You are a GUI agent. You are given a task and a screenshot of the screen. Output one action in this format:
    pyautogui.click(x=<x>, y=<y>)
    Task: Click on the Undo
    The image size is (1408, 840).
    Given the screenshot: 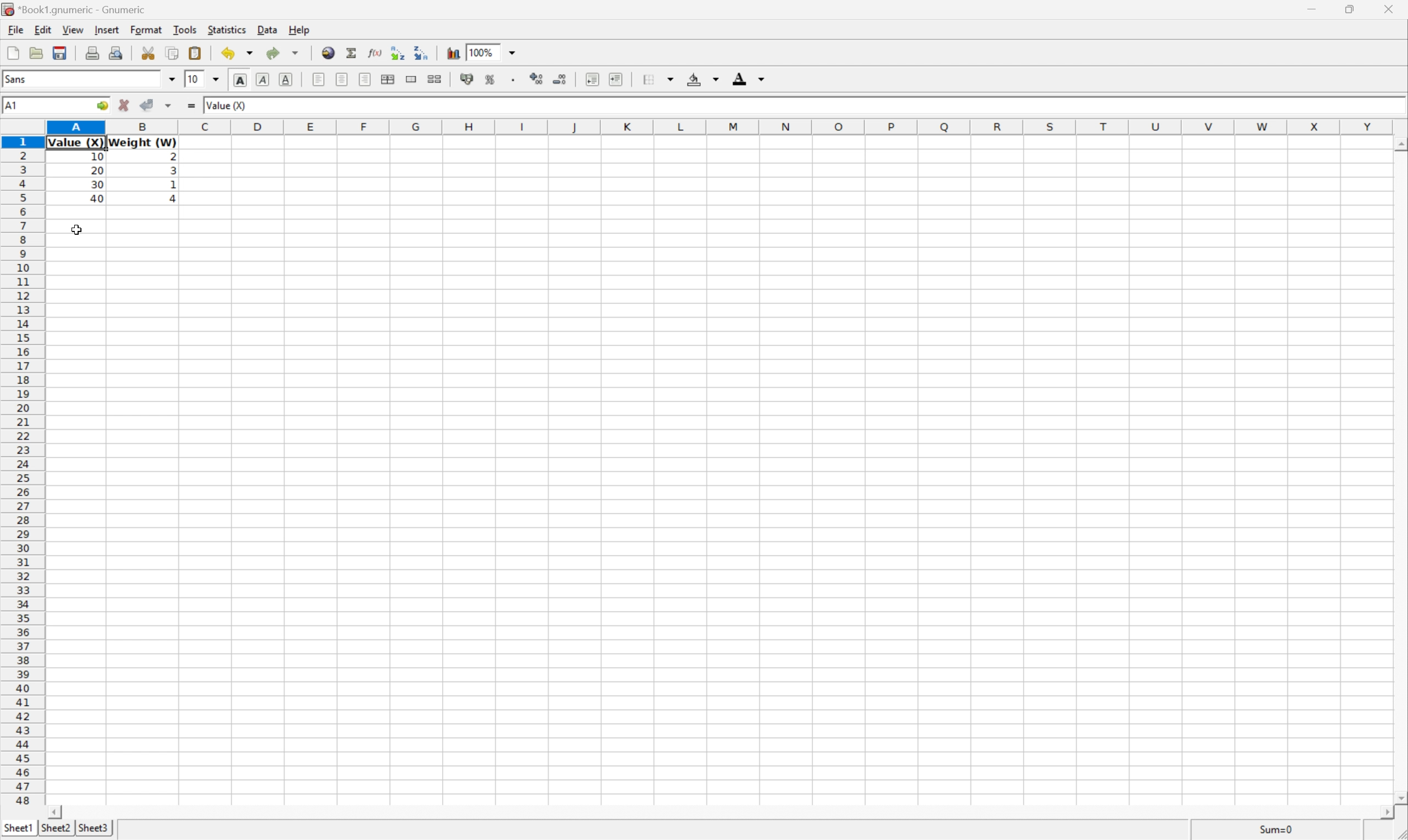 What is the action you would take?
    pyautogui.click(x=239, y=52)
    